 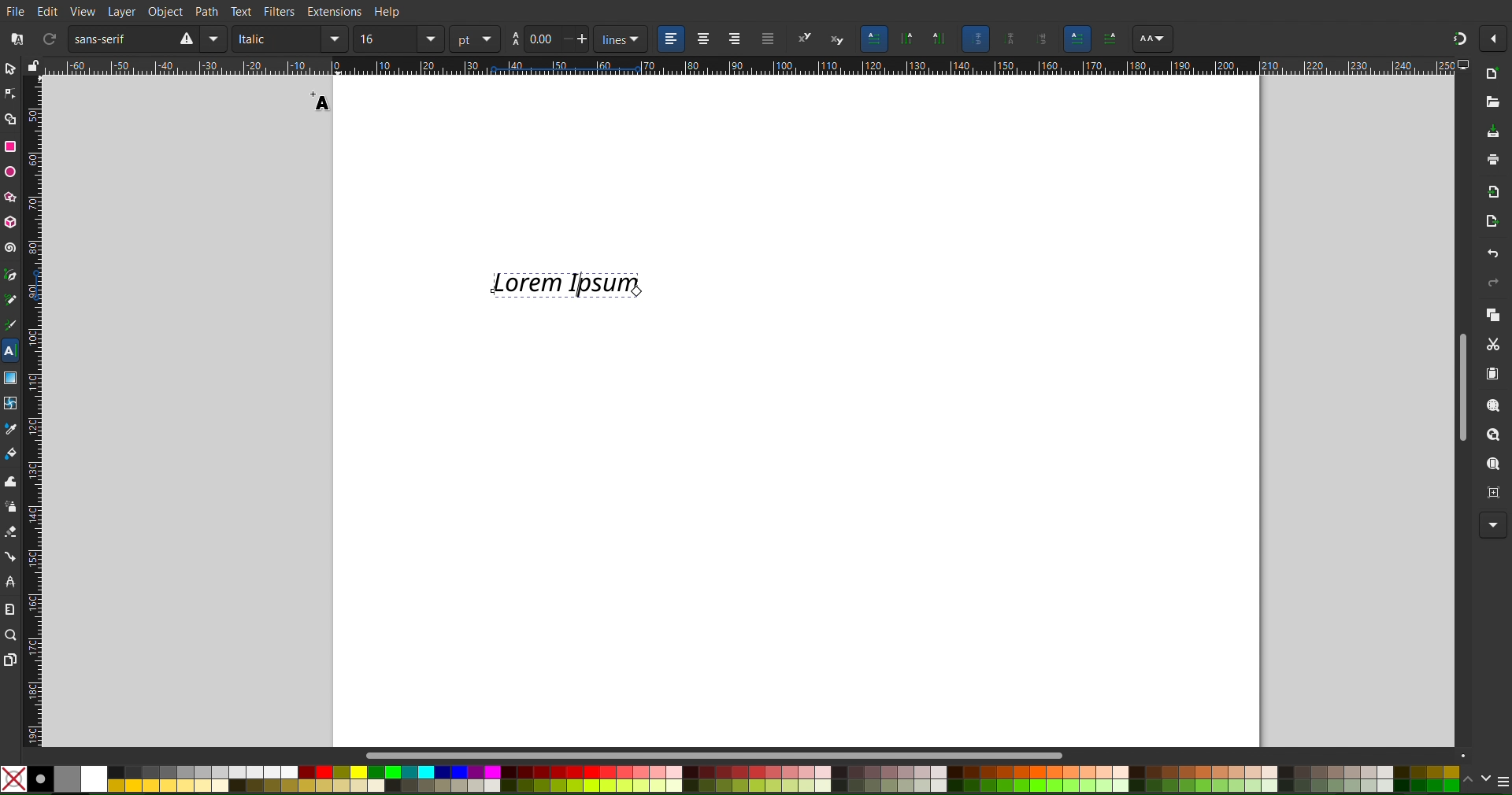 What do you see at coordinates (1492, 161) in the screenshot?
I see `Print` at bounding box center [1492, 161].